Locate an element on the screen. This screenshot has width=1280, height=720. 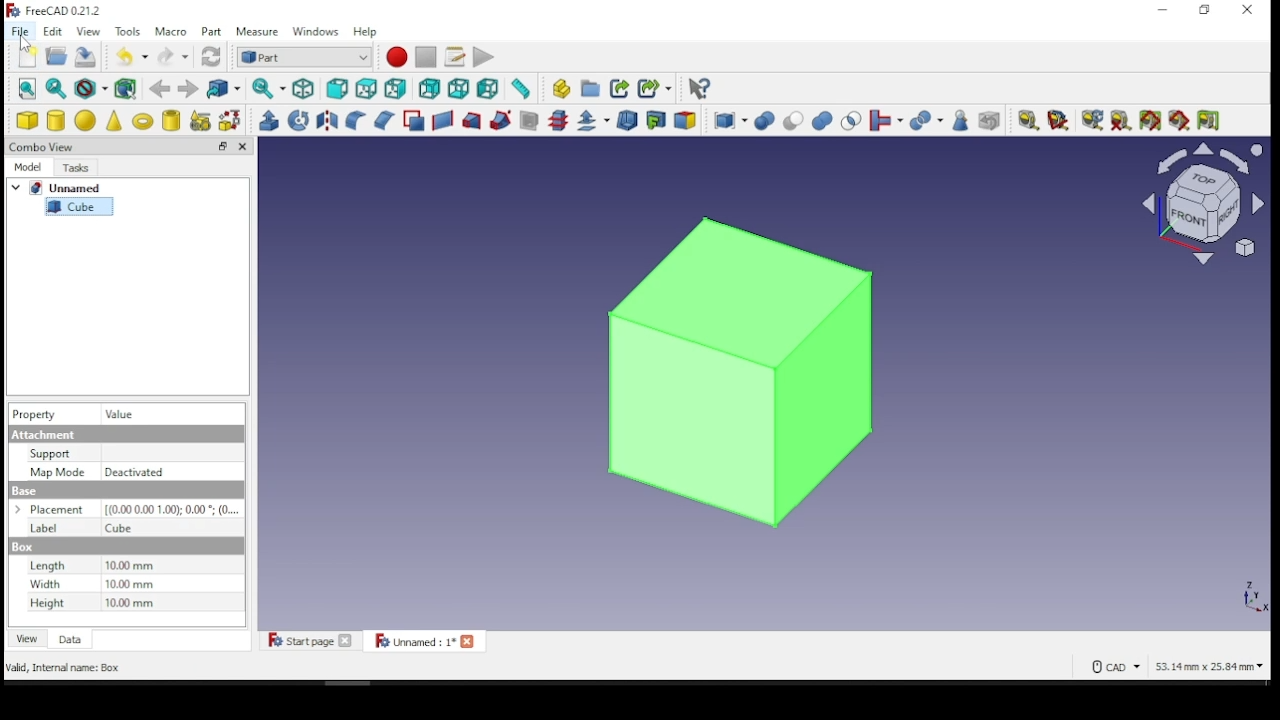
tools is located at coordinates (130, 32).